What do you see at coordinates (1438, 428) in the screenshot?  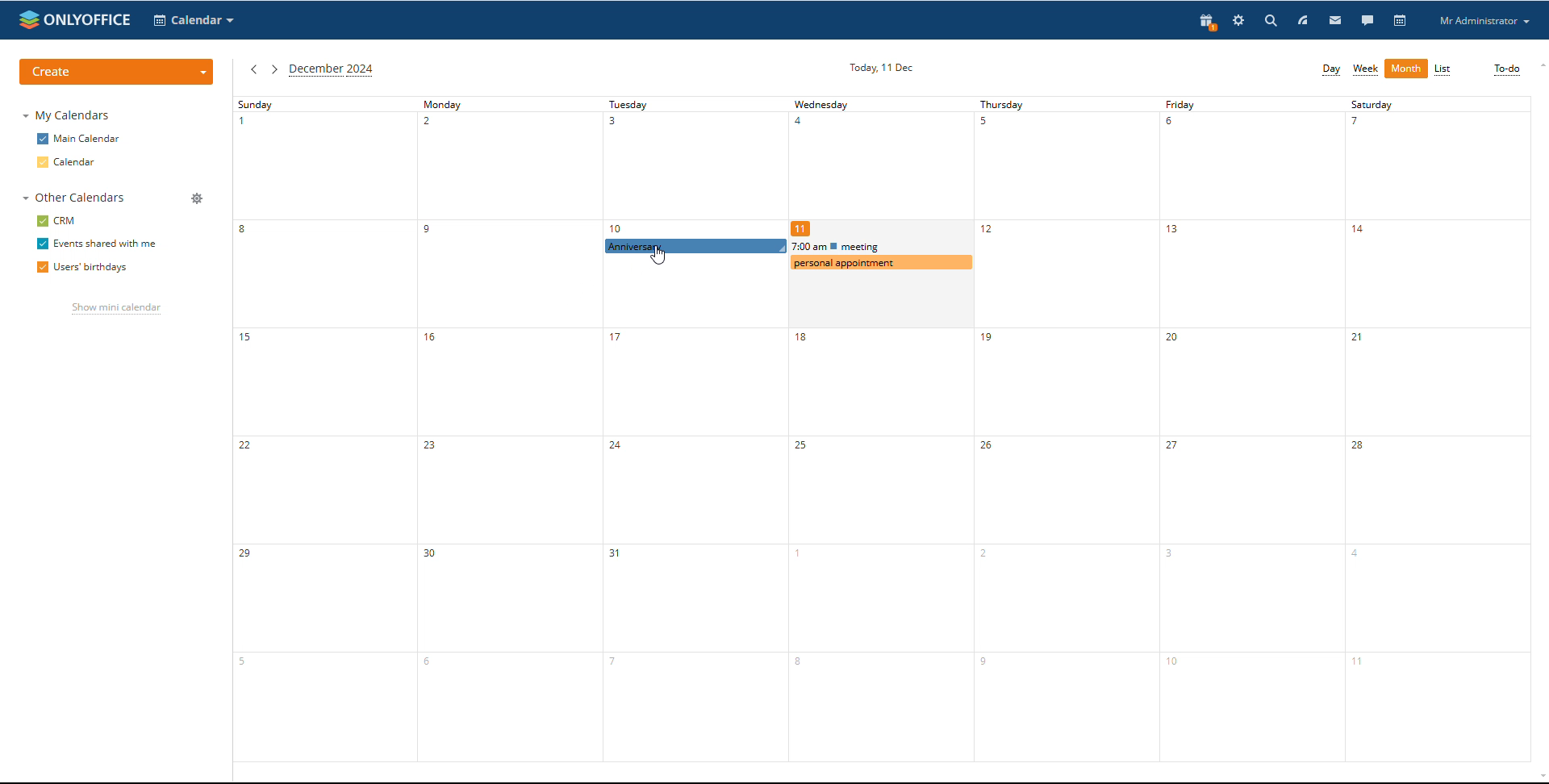 I see `saturday` at bounding box center [1438, 428].